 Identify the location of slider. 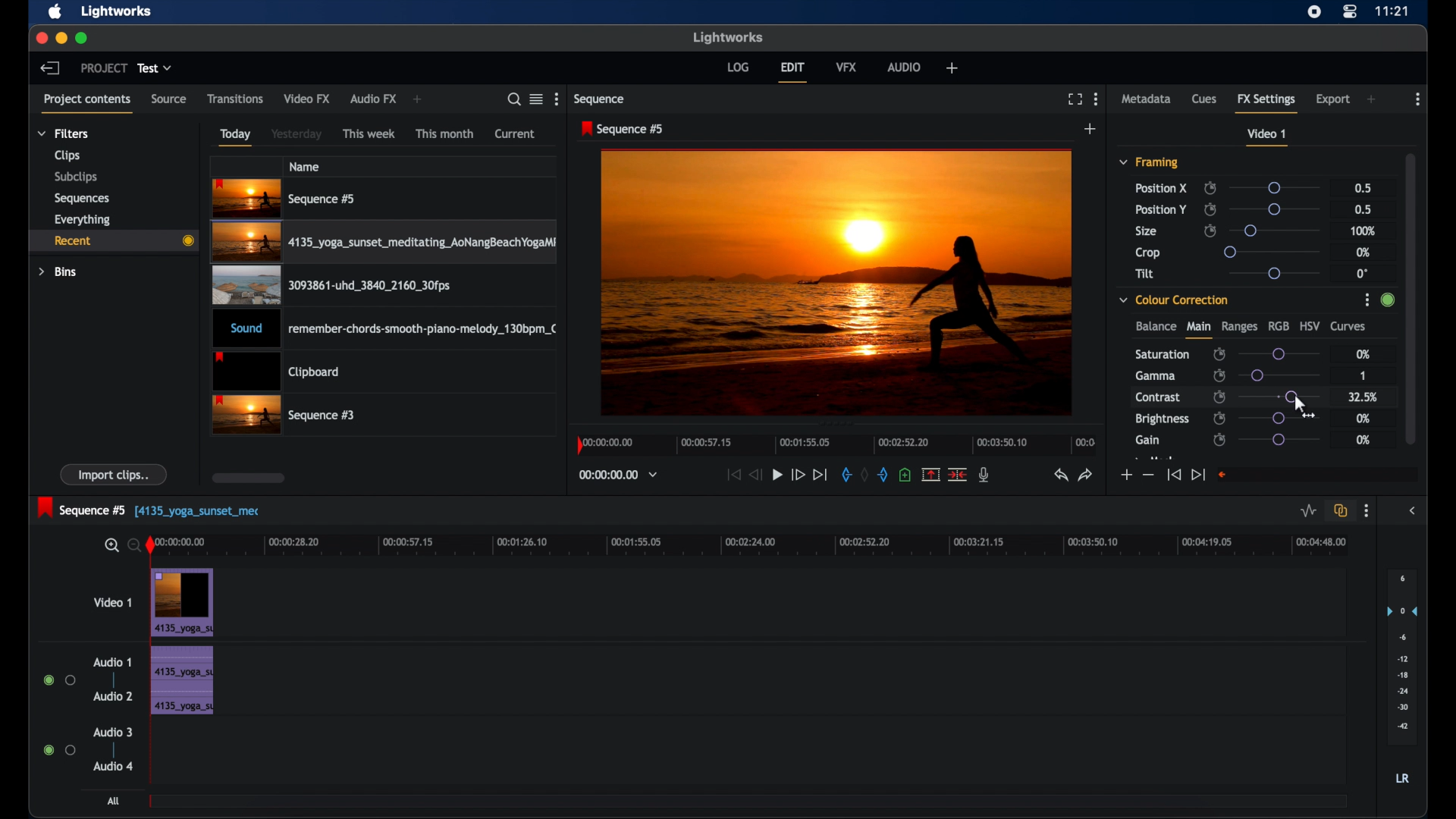
(1280, 396).